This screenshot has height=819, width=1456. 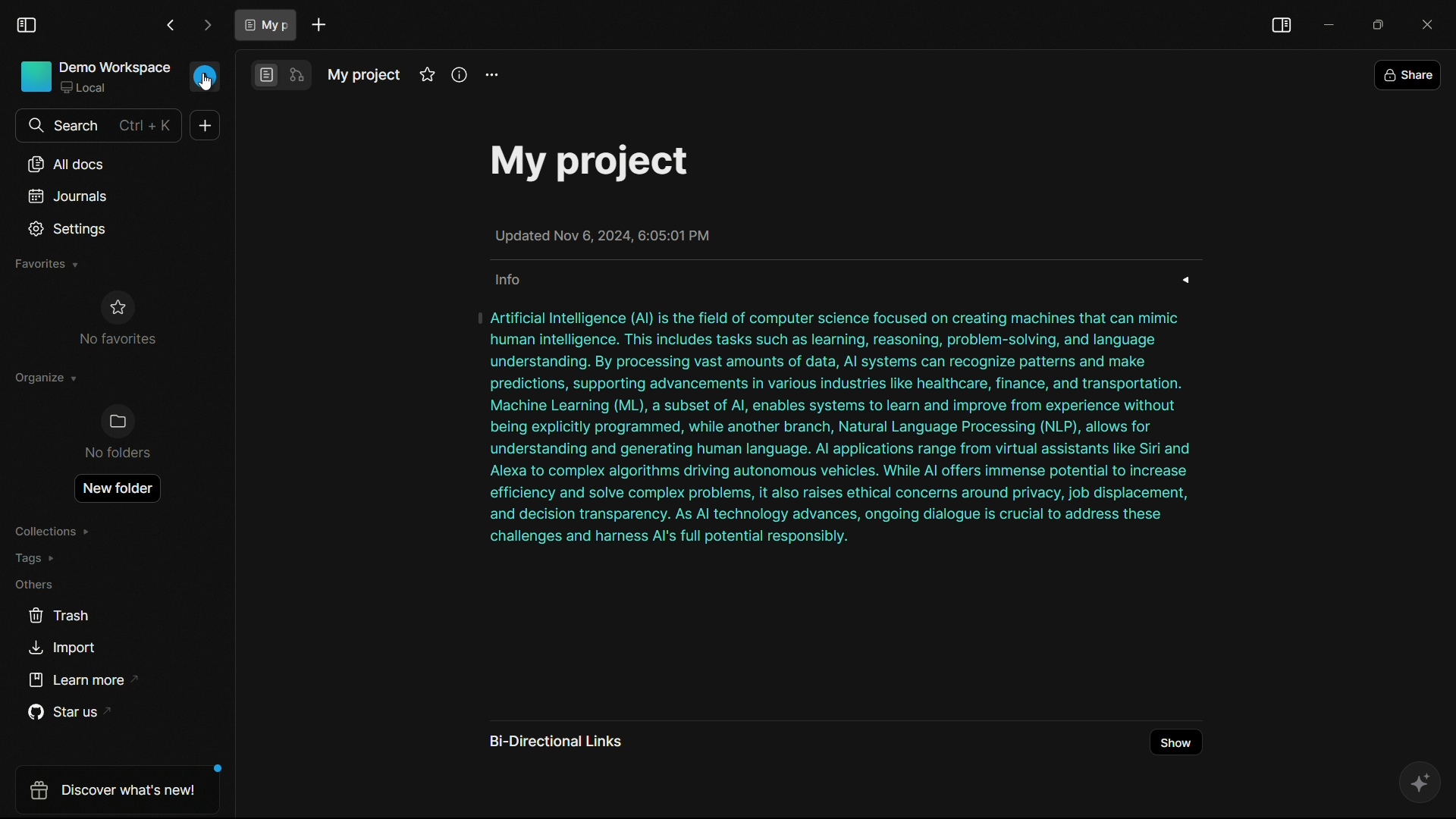 What do you see at coordinates (64, 165) in the screenshot?
I see `all documents` at bounding box center [64, 165].